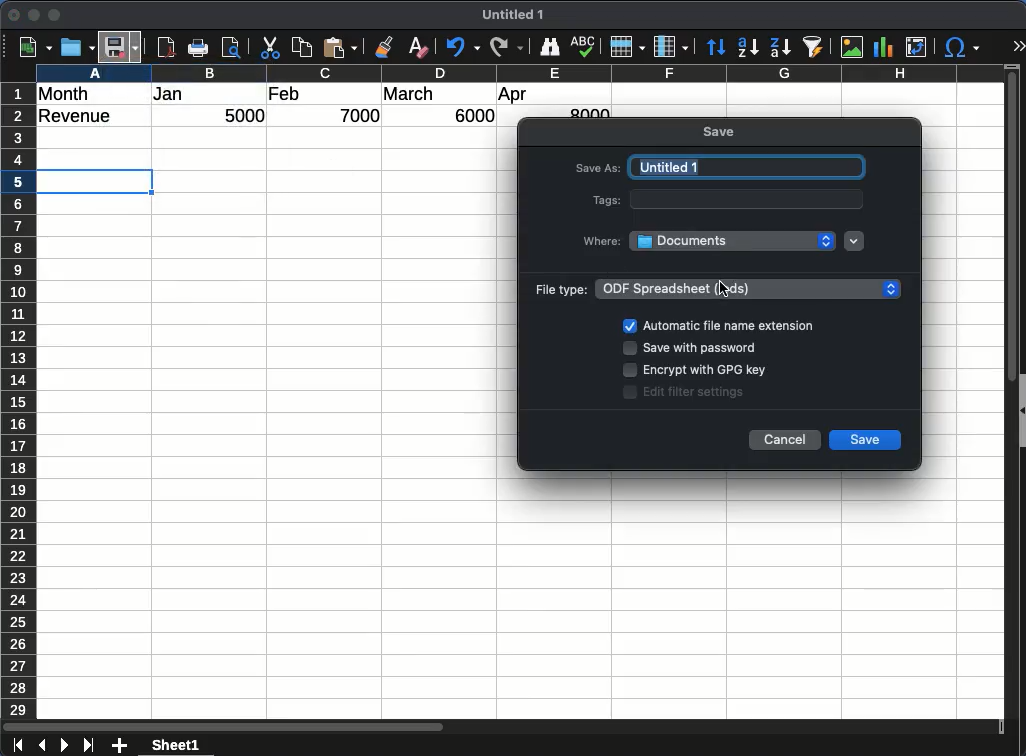  Describe the element at coordinates (247, 117) in the screenshot. I see `5000` at that location.